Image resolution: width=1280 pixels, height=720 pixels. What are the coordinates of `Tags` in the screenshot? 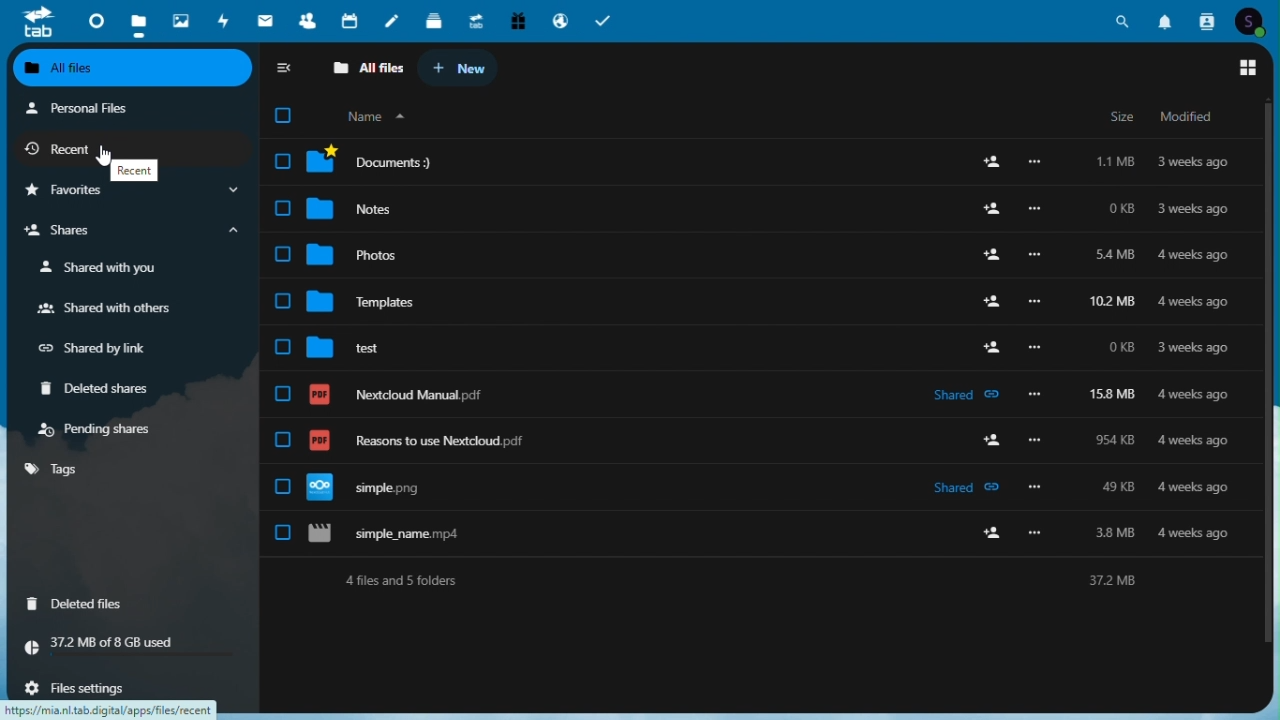 It's located at (131, 471).